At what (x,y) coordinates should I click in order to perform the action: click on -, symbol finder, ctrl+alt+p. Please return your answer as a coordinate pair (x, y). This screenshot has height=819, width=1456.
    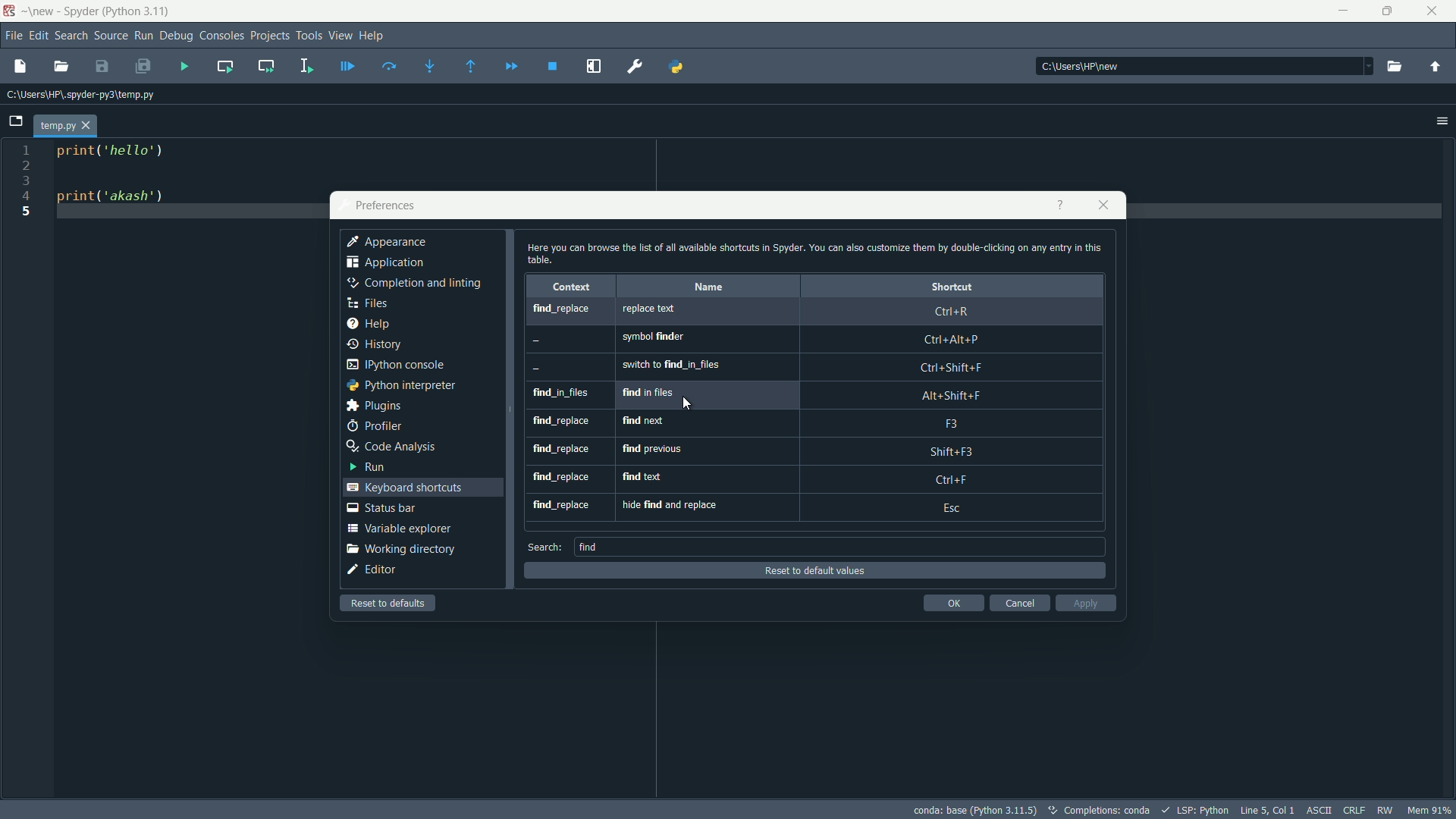
    Looking at the image, I should click on (809, 340).